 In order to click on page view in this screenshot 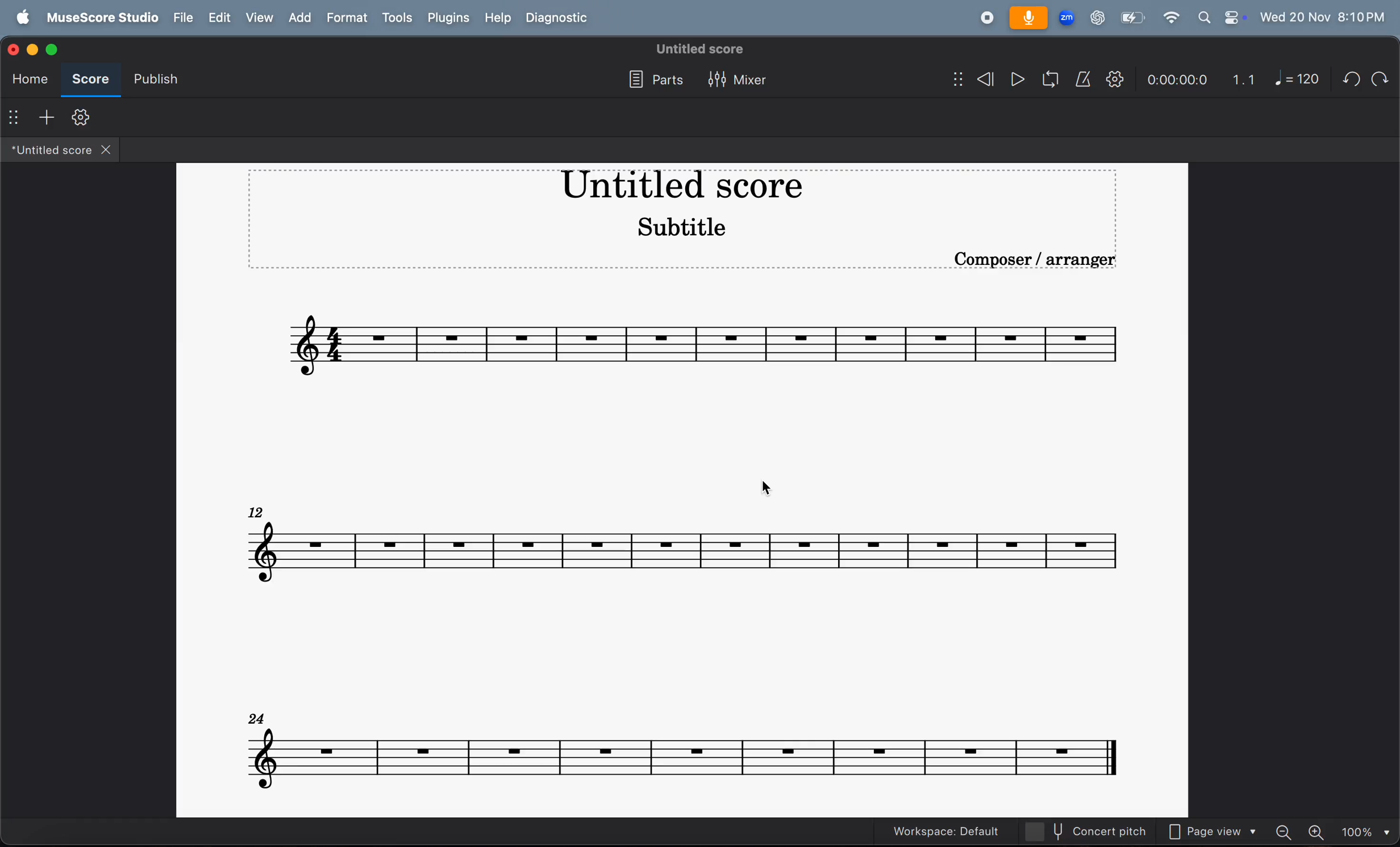, I will do `click(1212, 832)`.